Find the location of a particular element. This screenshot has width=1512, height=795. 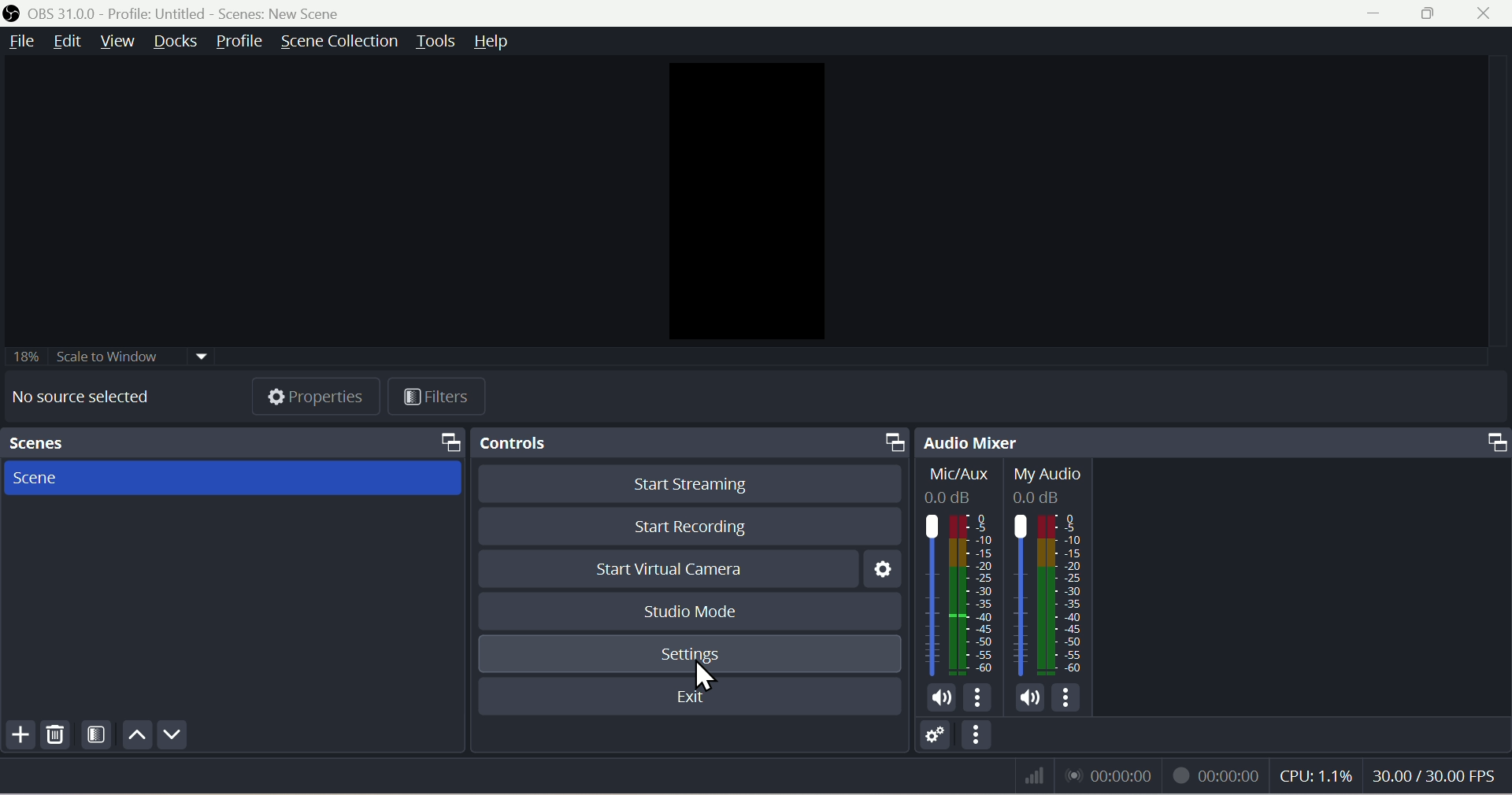

18% Scale to Window is located at coordinates (140, 356).